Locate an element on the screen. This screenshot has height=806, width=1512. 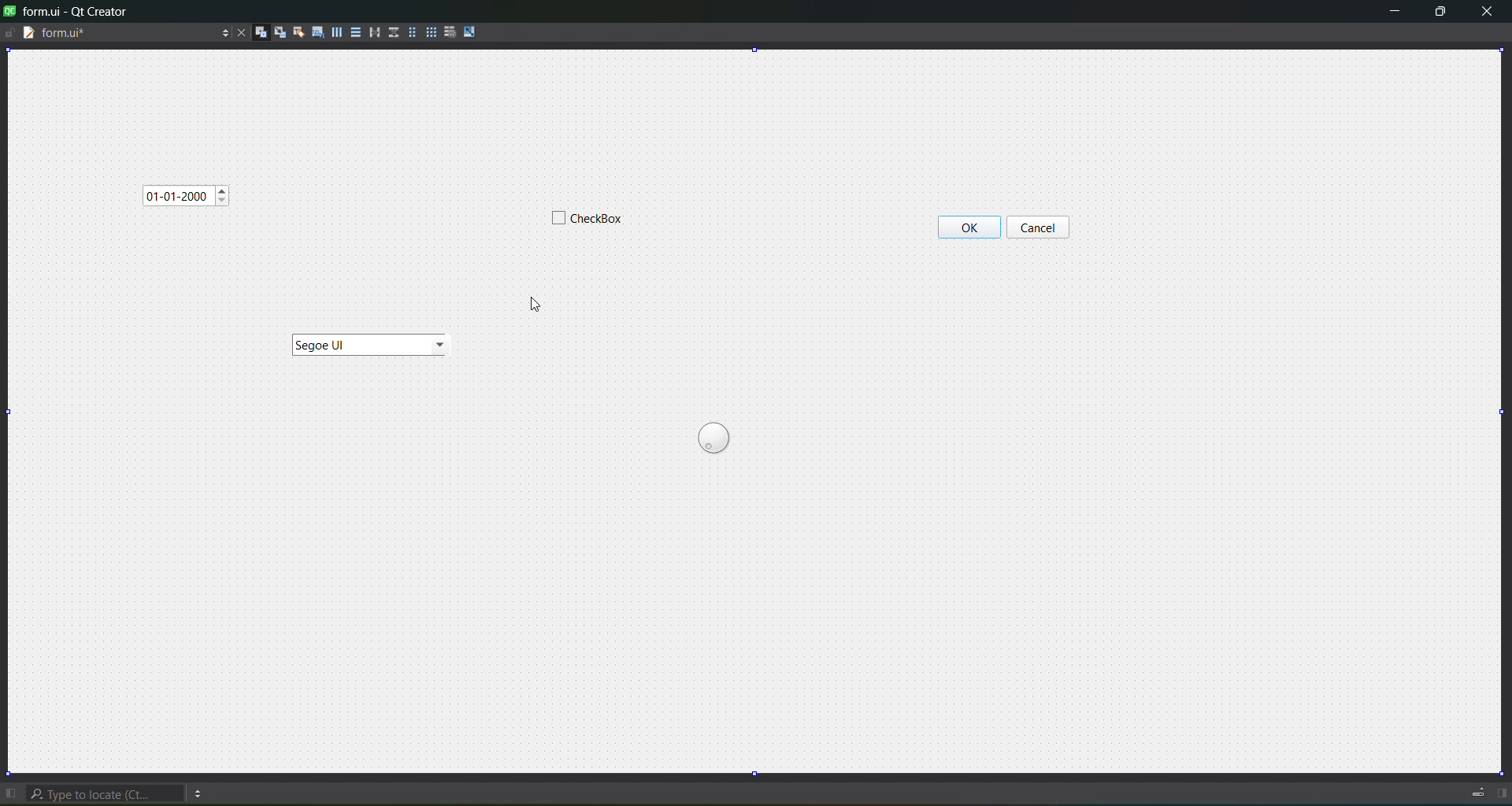
Widget is located at coordinates (370, 342).